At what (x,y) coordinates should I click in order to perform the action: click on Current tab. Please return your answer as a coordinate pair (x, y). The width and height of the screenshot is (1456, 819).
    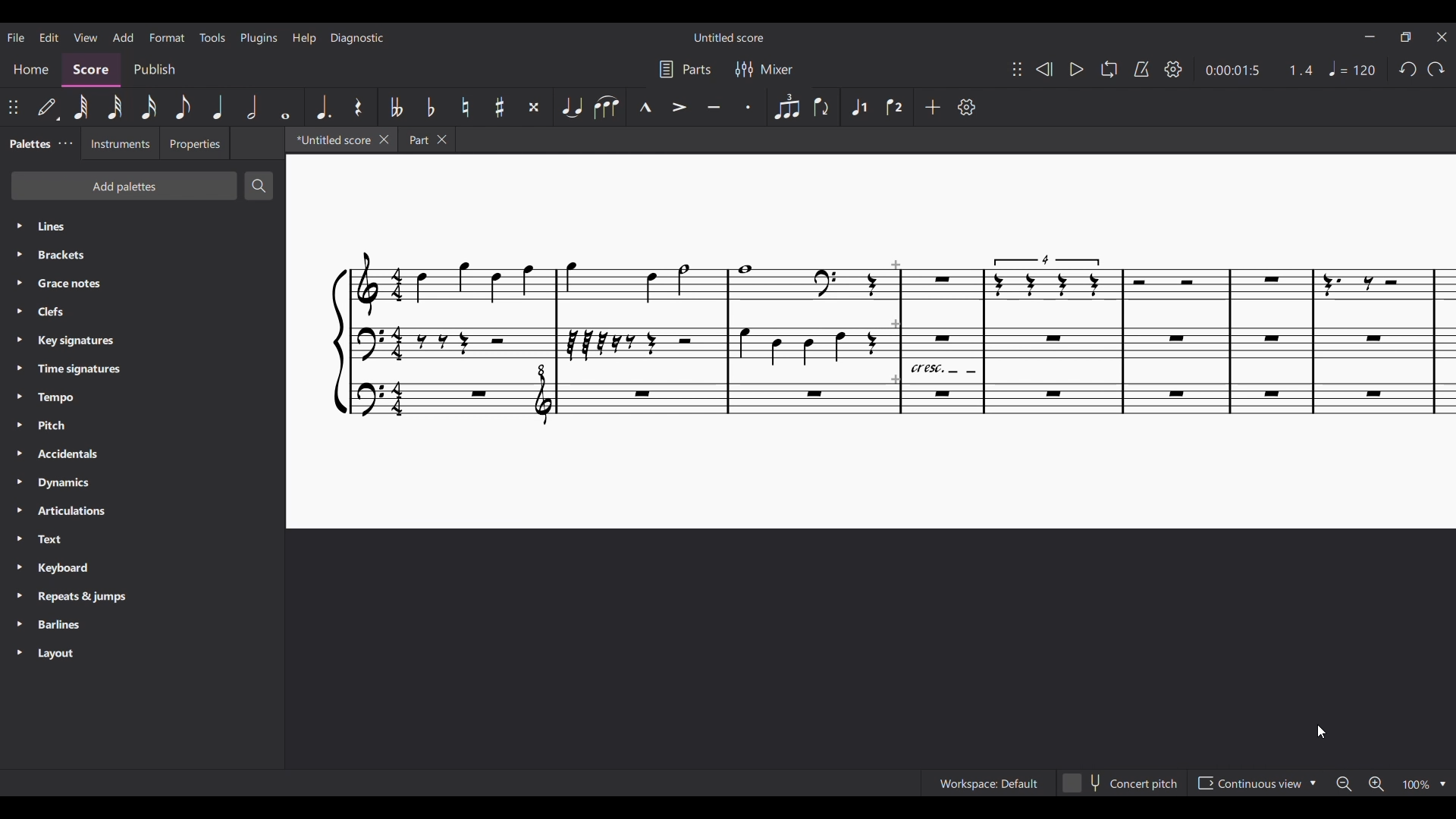
    Looking at the image, I should click on (331, 139).